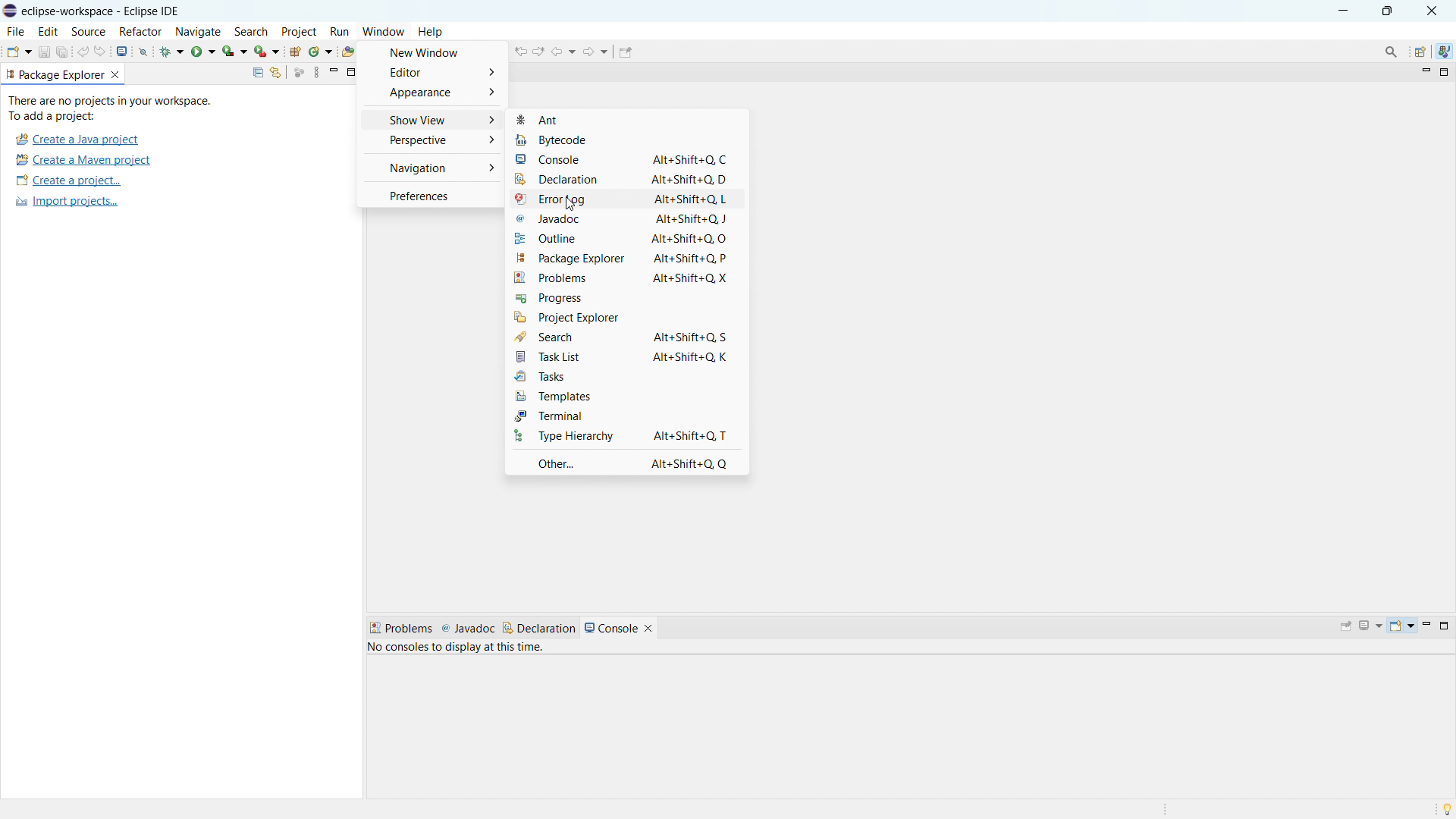 This screenshot has height=819, width=1456. What do you see at coordinates (118, 74) in the screenshot?
I see `close package explorer` at bounding box center [118, 74].